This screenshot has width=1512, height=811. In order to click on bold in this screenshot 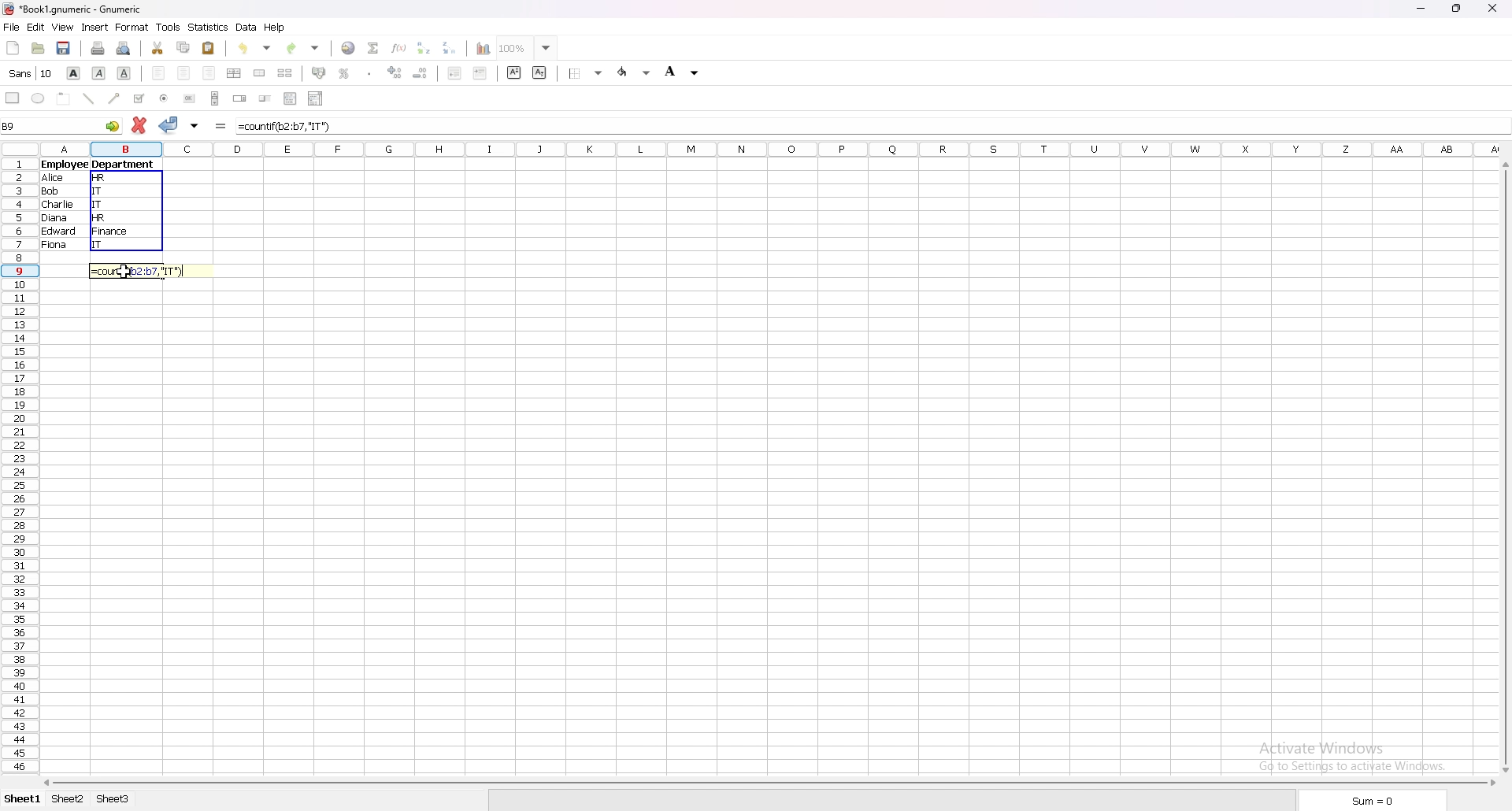, I will do `click(73, 72)`.